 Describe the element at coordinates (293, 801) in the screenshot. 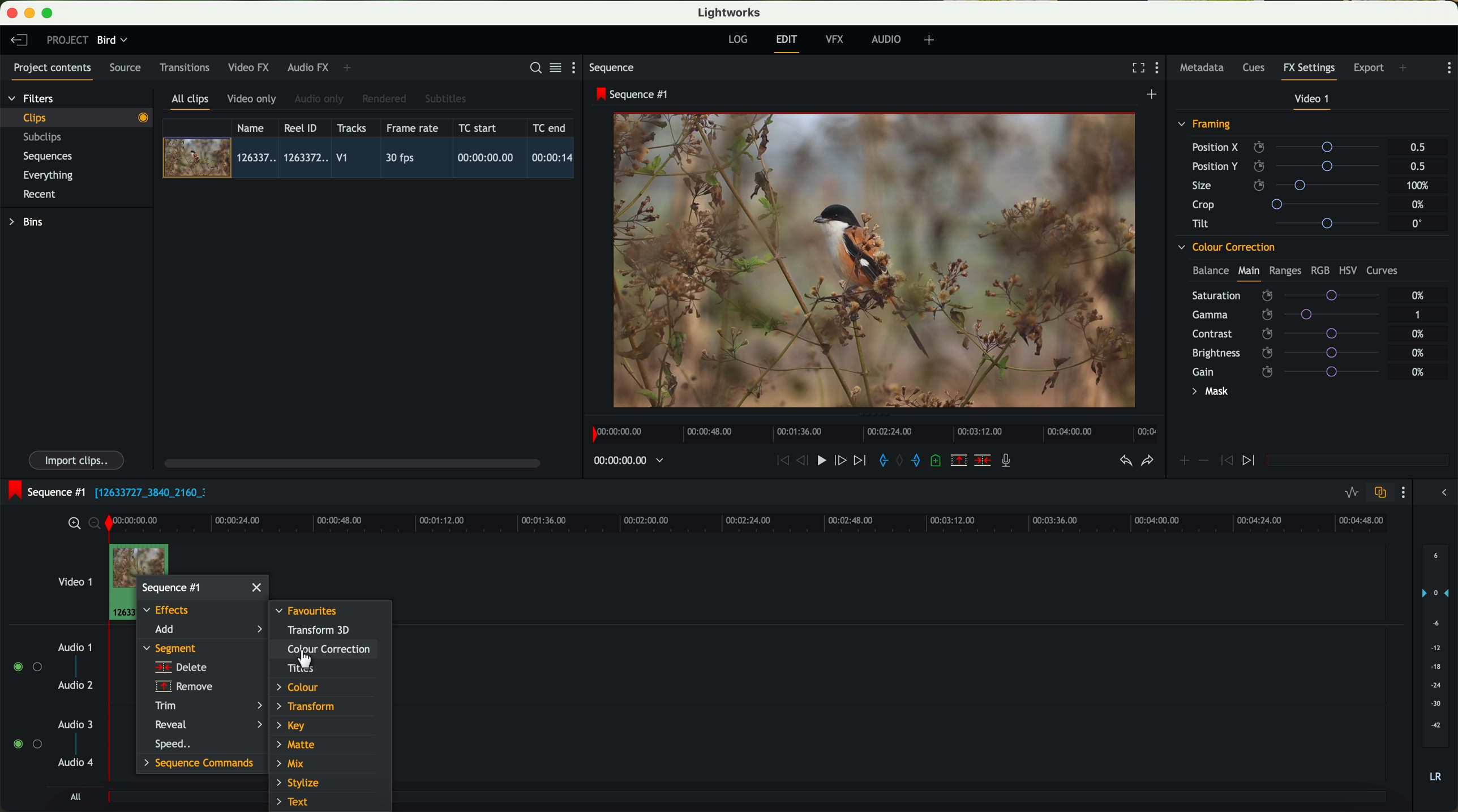

I see `text` at that location.